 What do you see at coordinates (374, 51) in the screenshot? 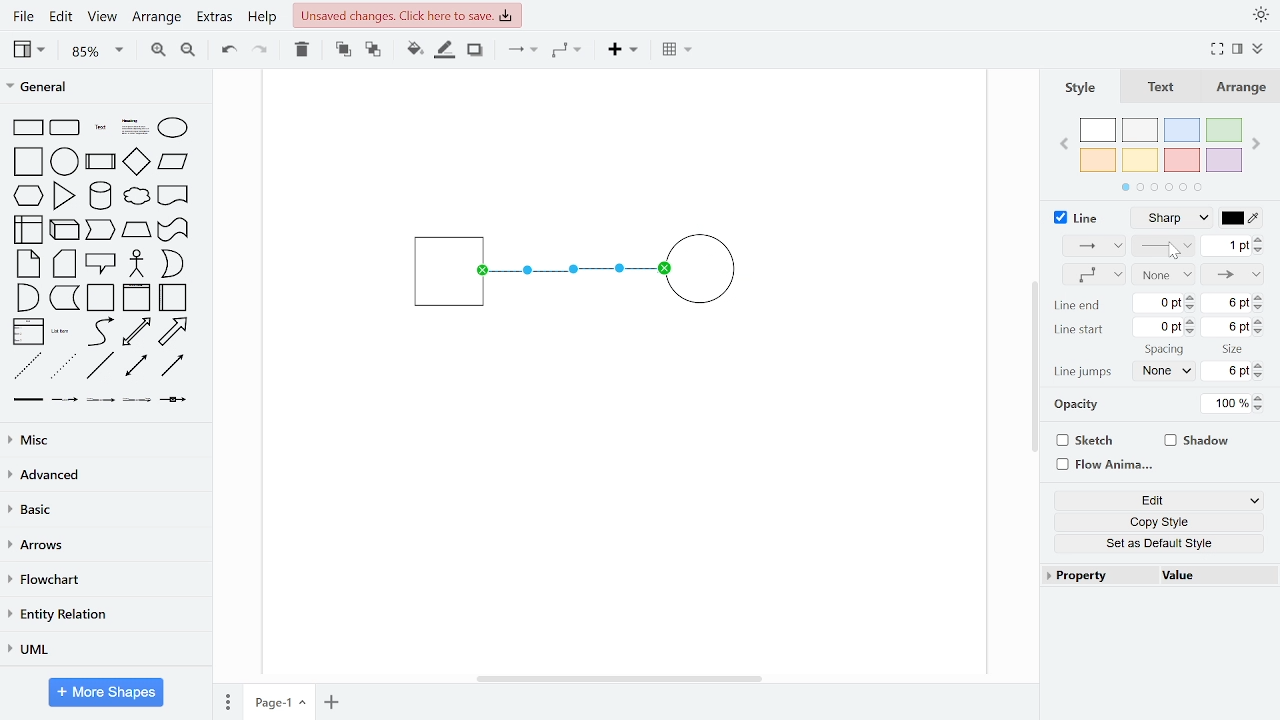
I see `to back` at bounding box center [374, 51].